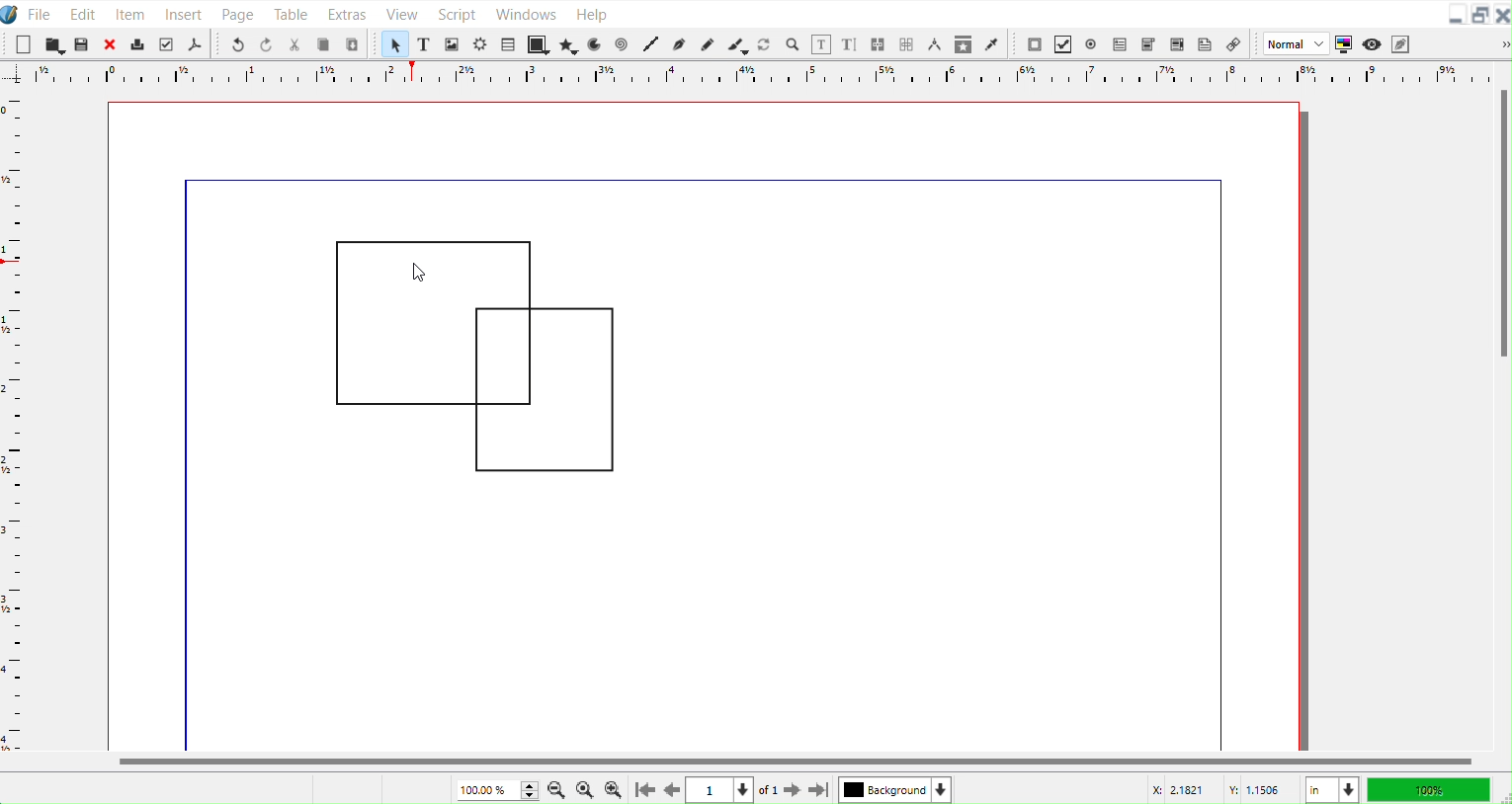  What do you see at coordinates (743, 76) in the screenshot?
I see `Vertical Scale` at bounding box center [743, 76].